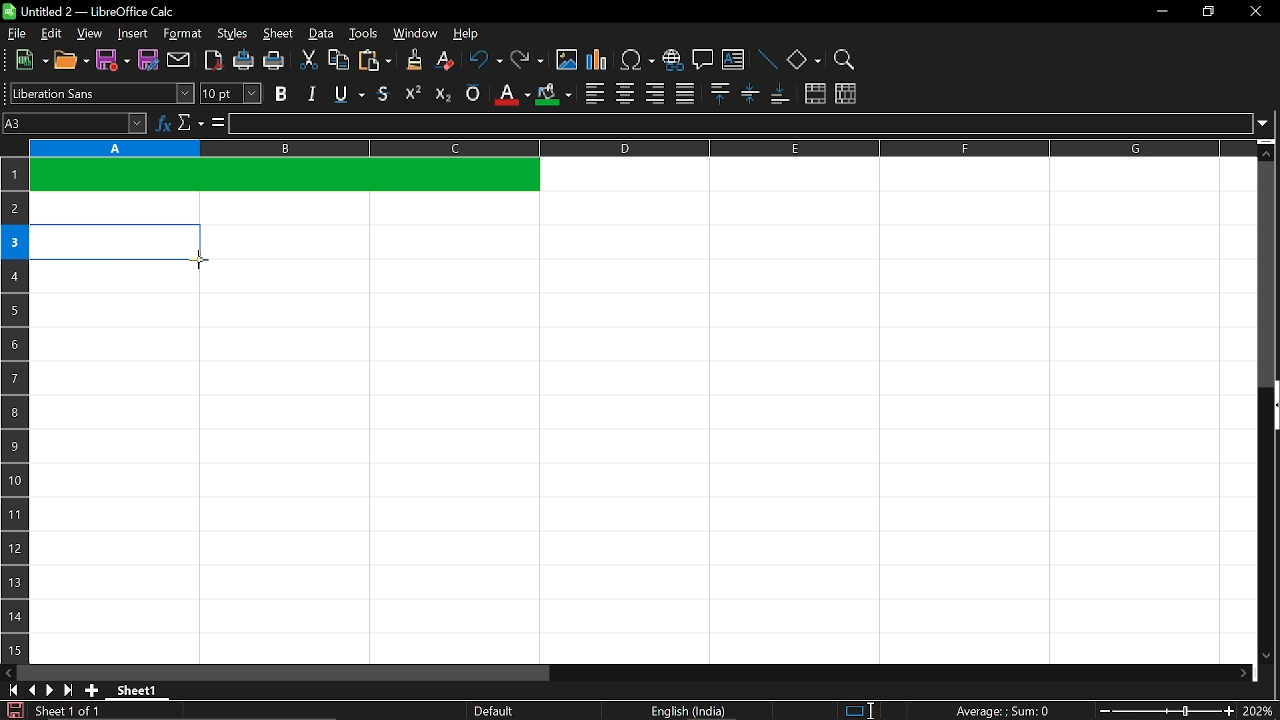 This screenshot has height=720, width=1280. Describe the element at coordinates (92, 691) in the screenshot. I see `add sheet` at that location.